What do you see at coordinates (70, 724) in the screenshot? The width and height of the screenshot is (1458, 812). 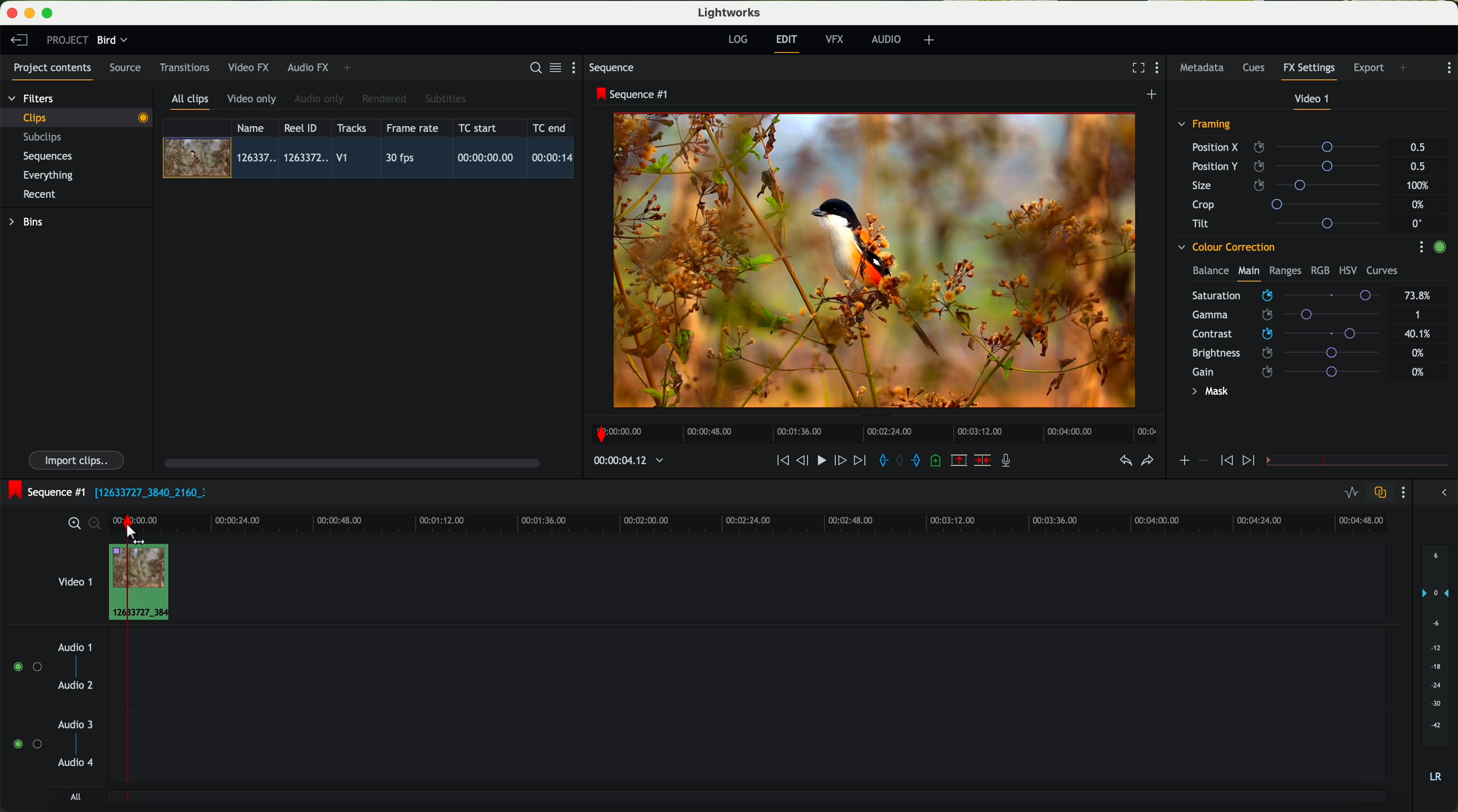 I see `audio 3` at bounding box center [70, 724].